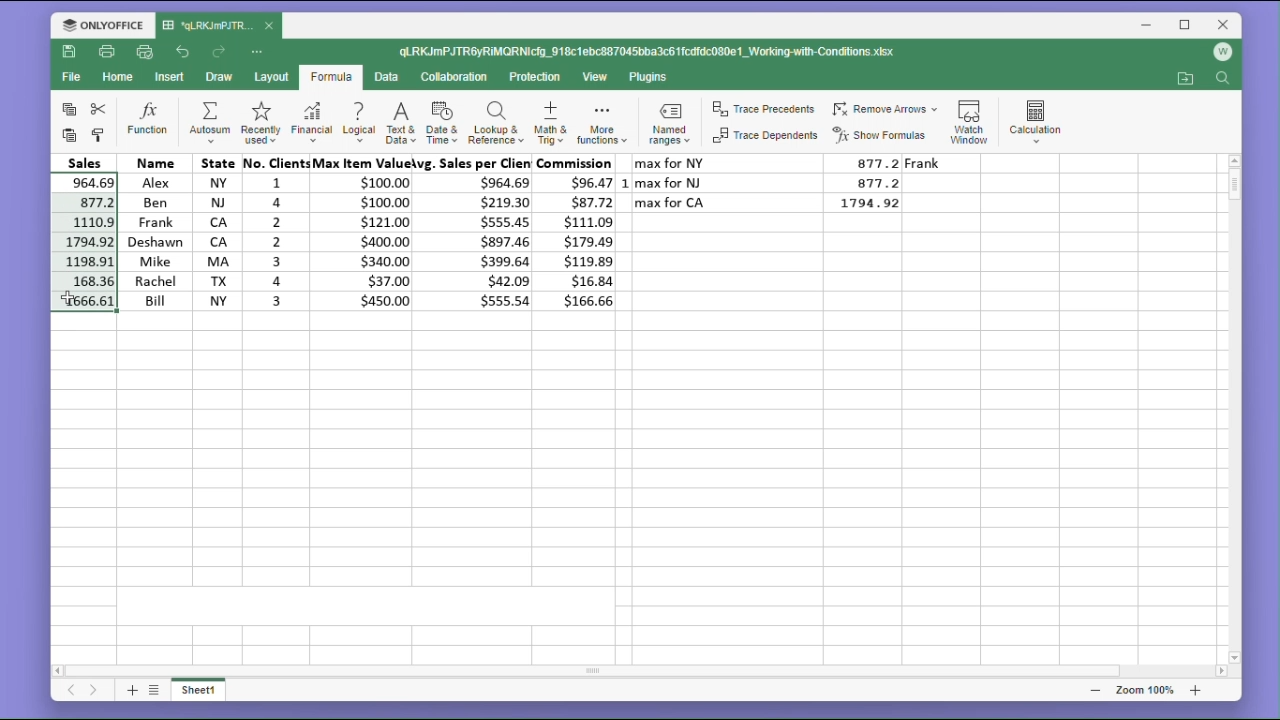  Describe the element at coordinates (1234, 160) in the screenshot. I see `scroll up` at that location.